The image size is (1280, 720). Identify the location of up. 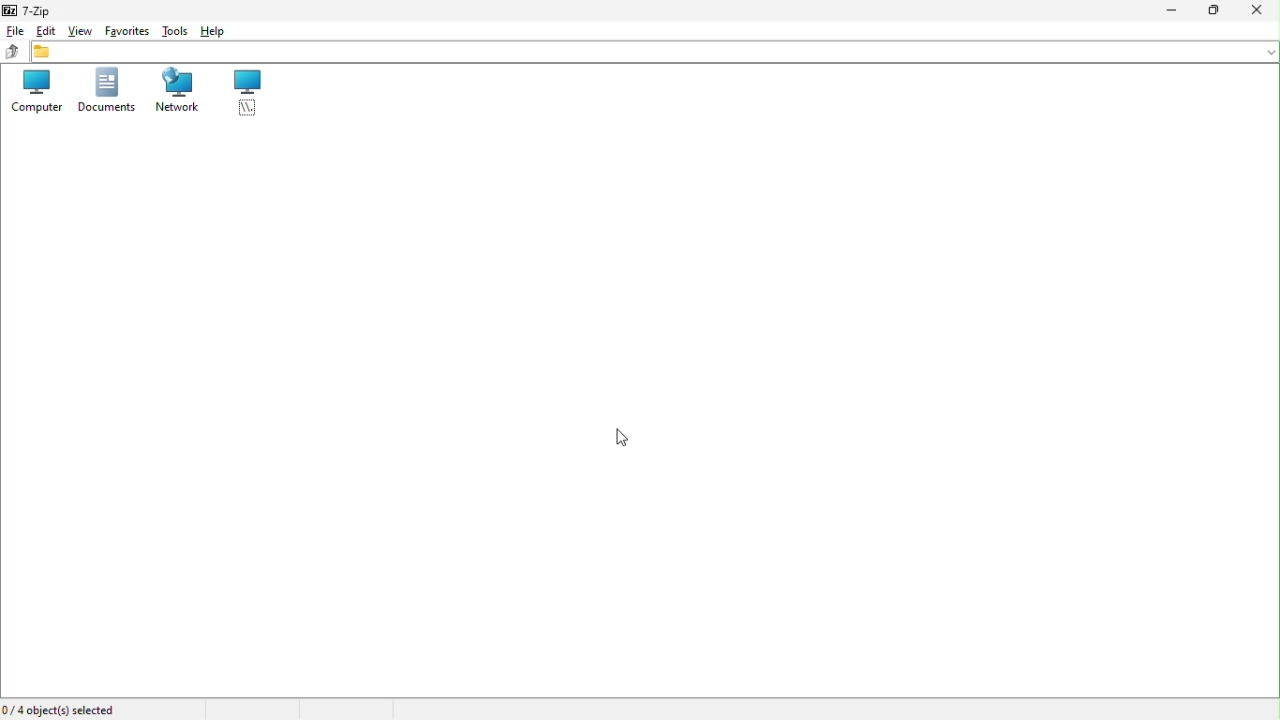
(13, 53).